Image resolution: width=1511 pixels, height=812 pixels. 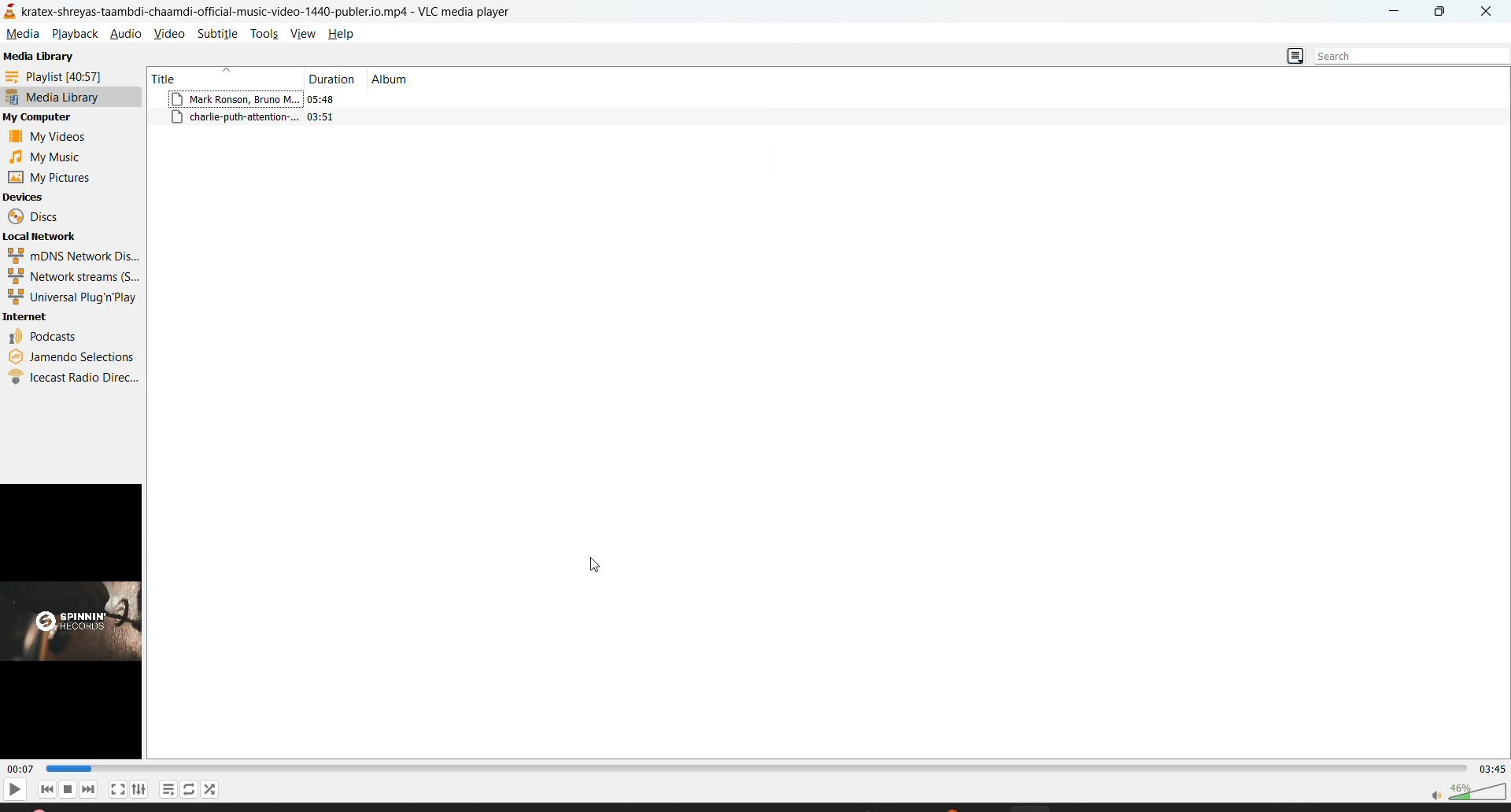 I want to click on internet, so click(x=30, y=317).